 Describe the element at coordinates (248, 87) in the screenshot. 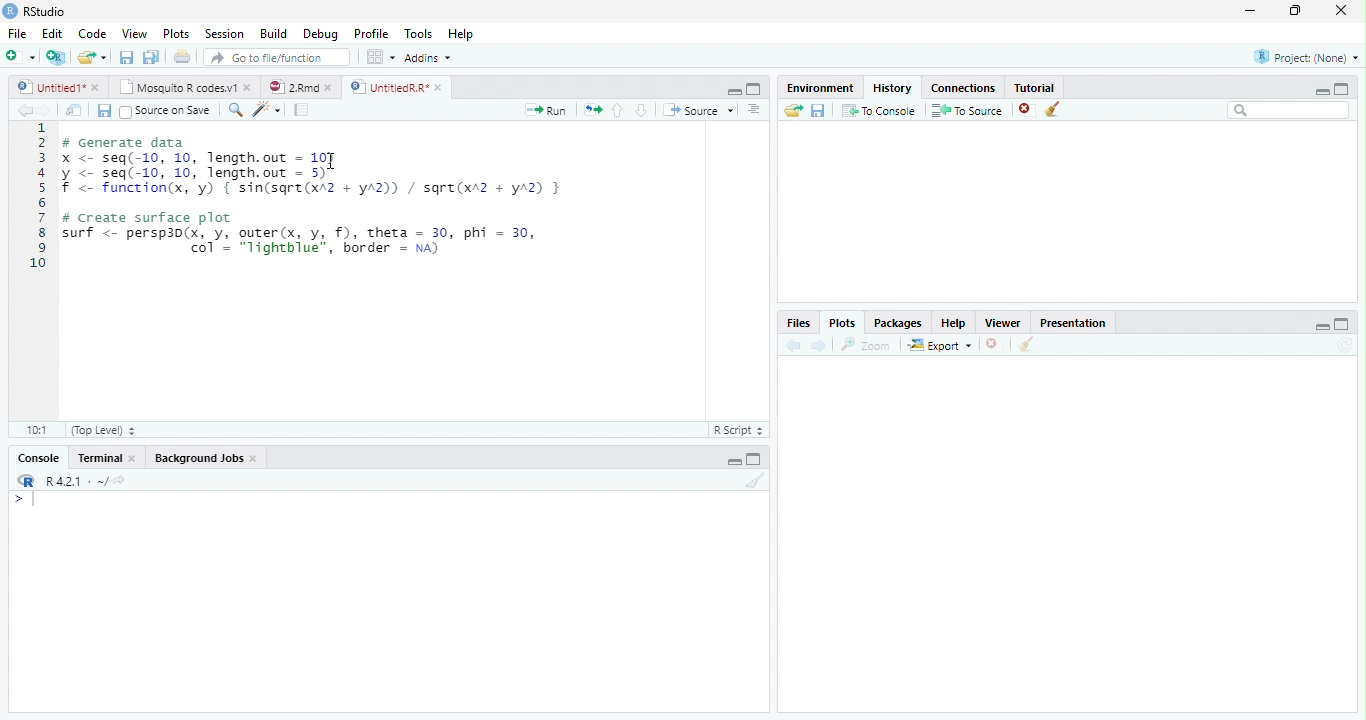

I see `close` at that location.